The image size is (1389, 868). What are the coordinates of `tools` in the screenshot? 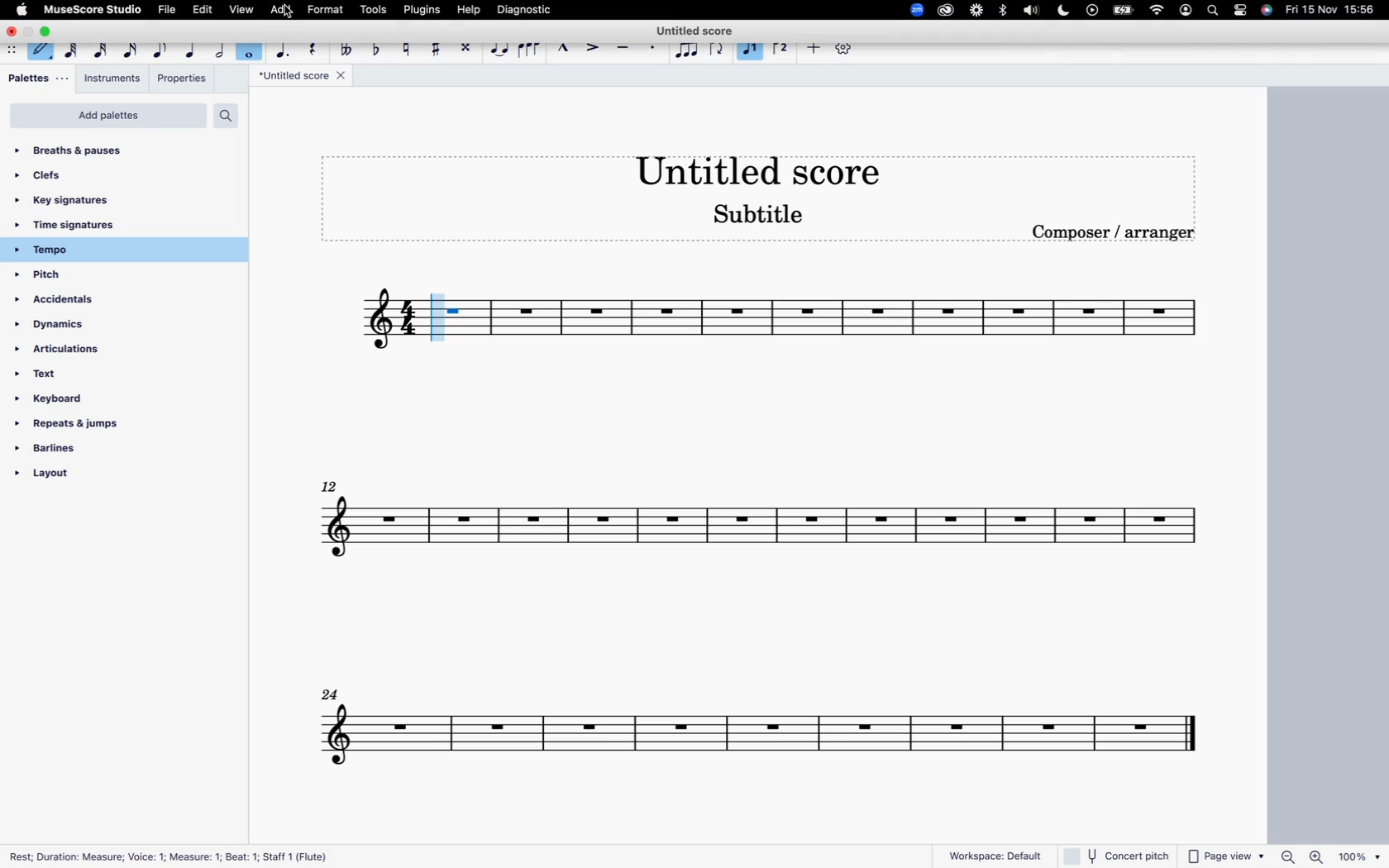 It's located at (376, 8).